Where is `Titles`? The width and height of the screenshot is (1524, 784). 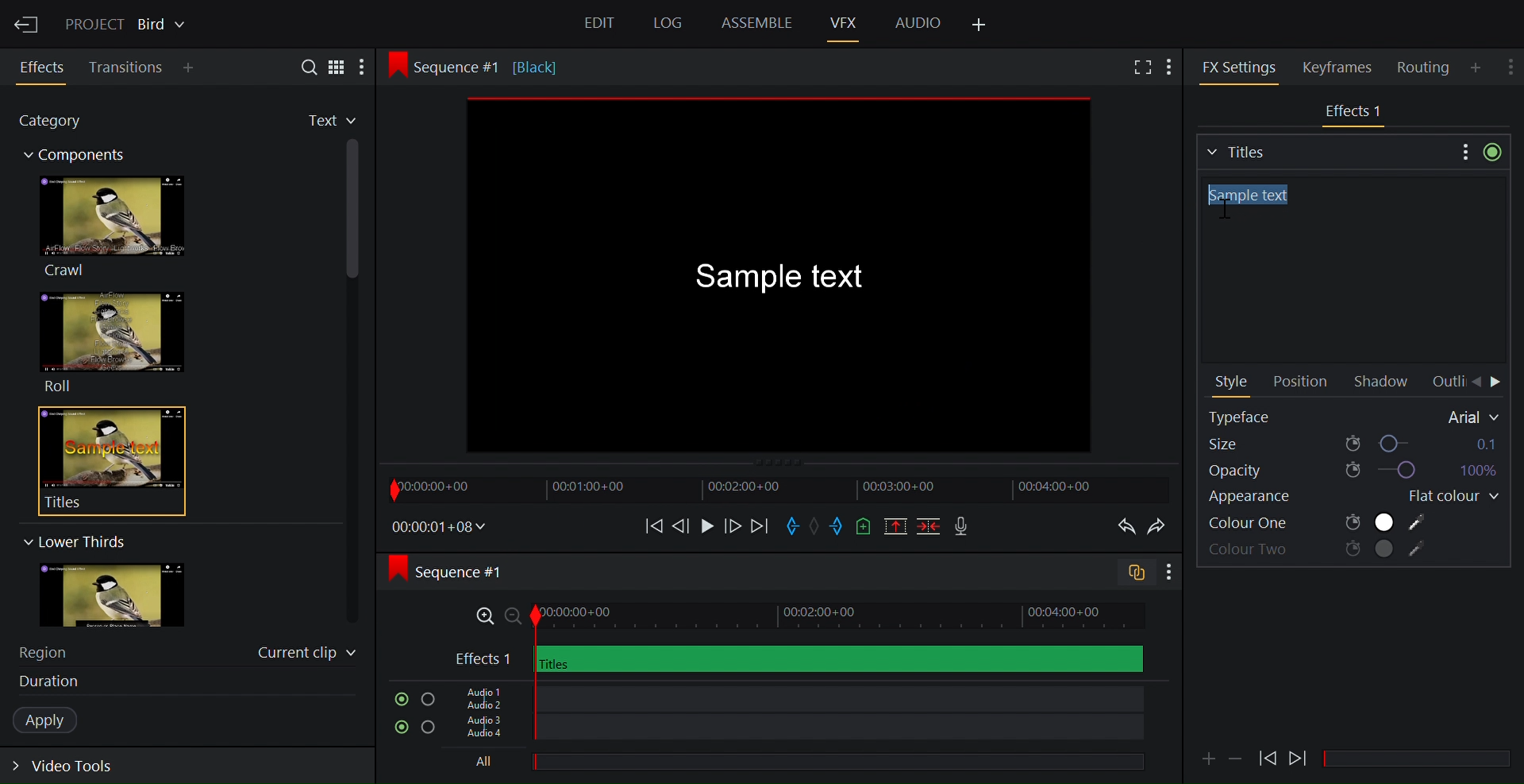 Titles is located at coordinates (1325, 150).